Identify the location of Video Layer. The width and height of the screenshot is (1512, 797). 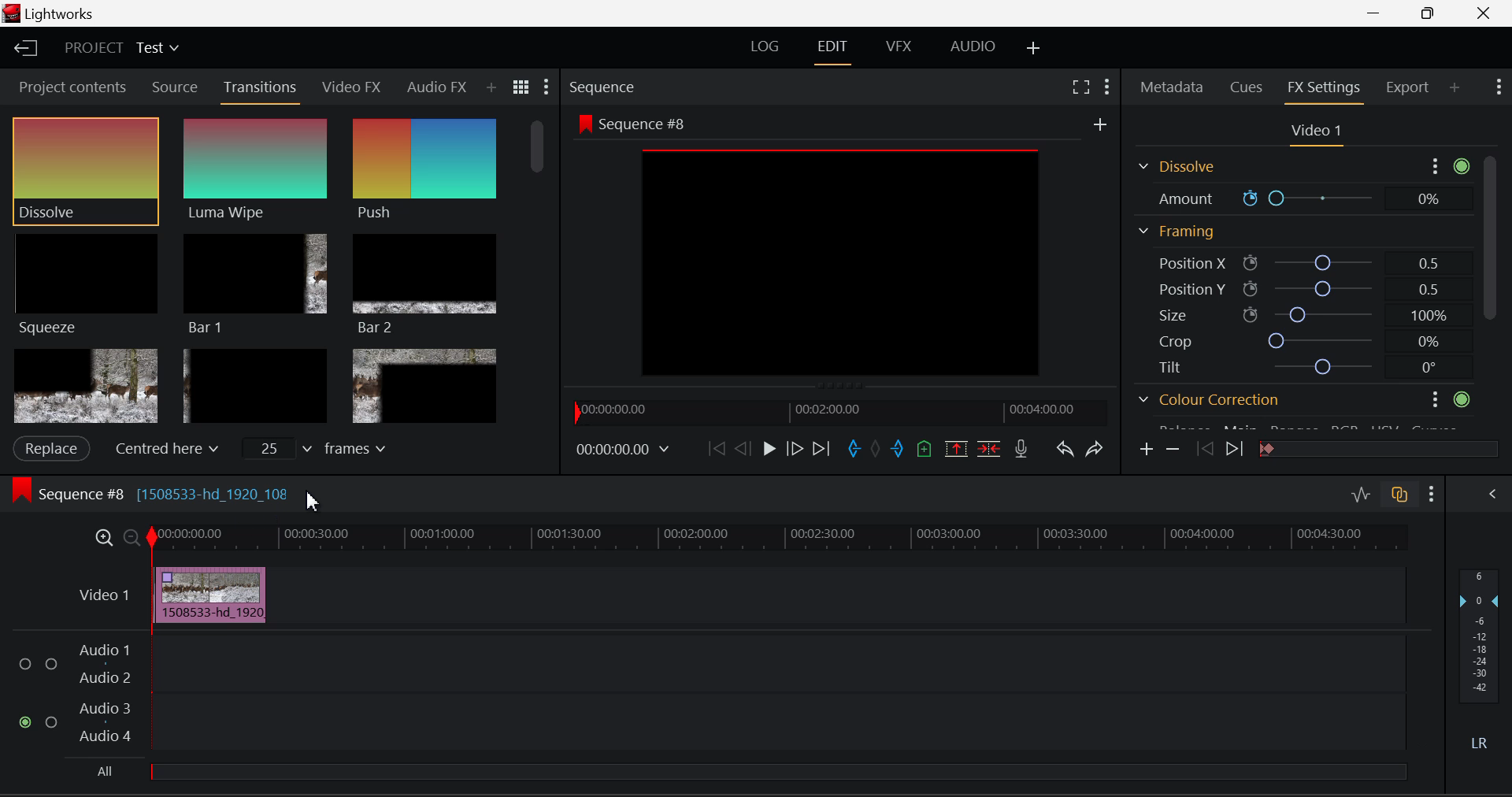
(105, 595).